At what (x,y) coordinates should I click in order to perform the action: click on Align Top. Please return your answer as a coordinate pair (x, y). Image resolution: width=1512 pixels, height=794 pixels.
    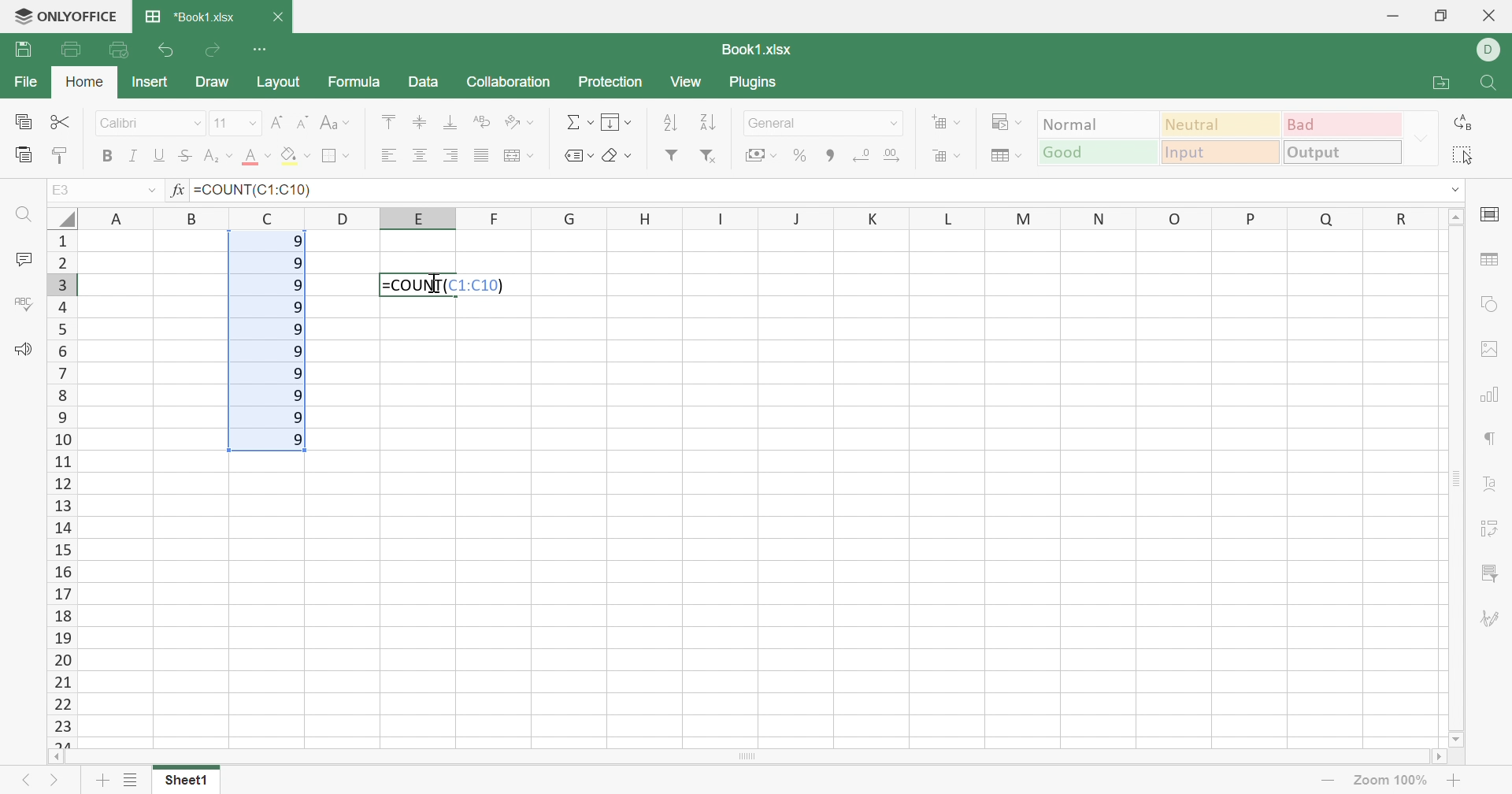
    Looking at the image, I should click on (388, 121).